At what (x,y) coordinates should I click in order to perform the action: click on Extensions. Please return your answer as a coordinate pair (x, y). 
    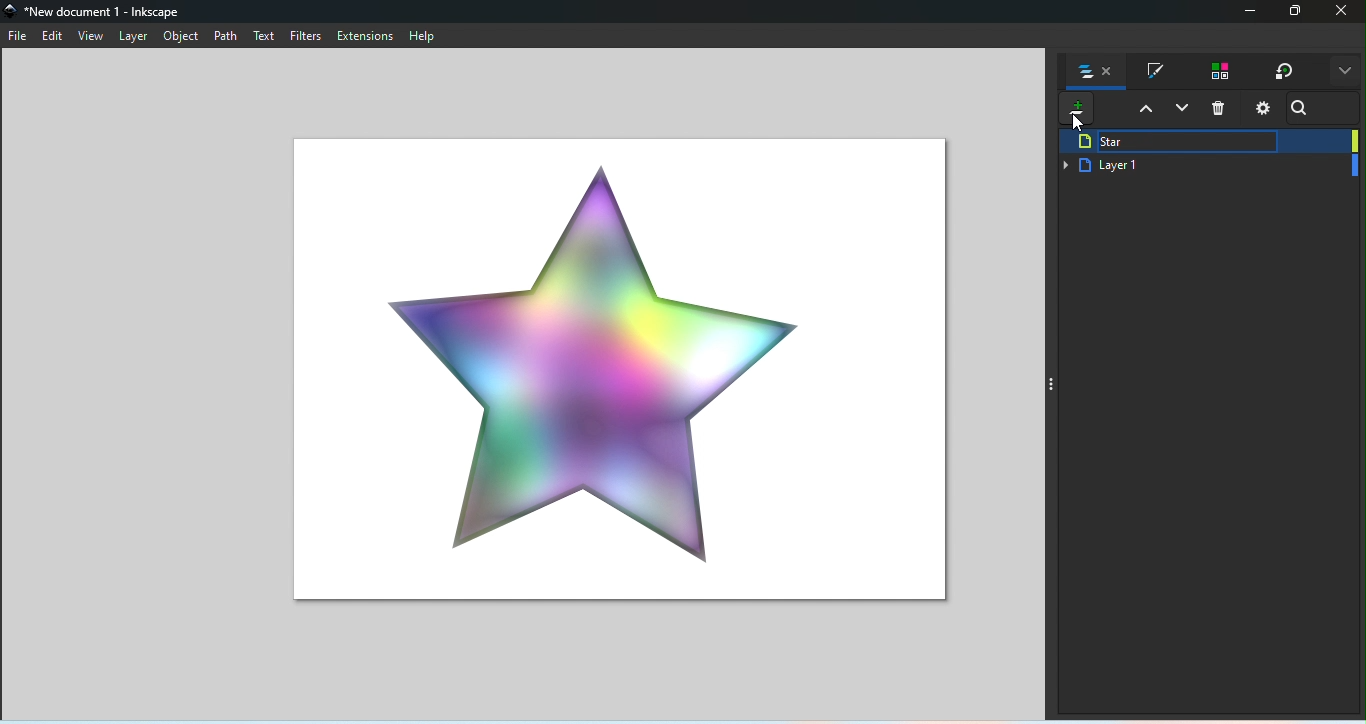
    Looking at the image, I should click on (369, 37).